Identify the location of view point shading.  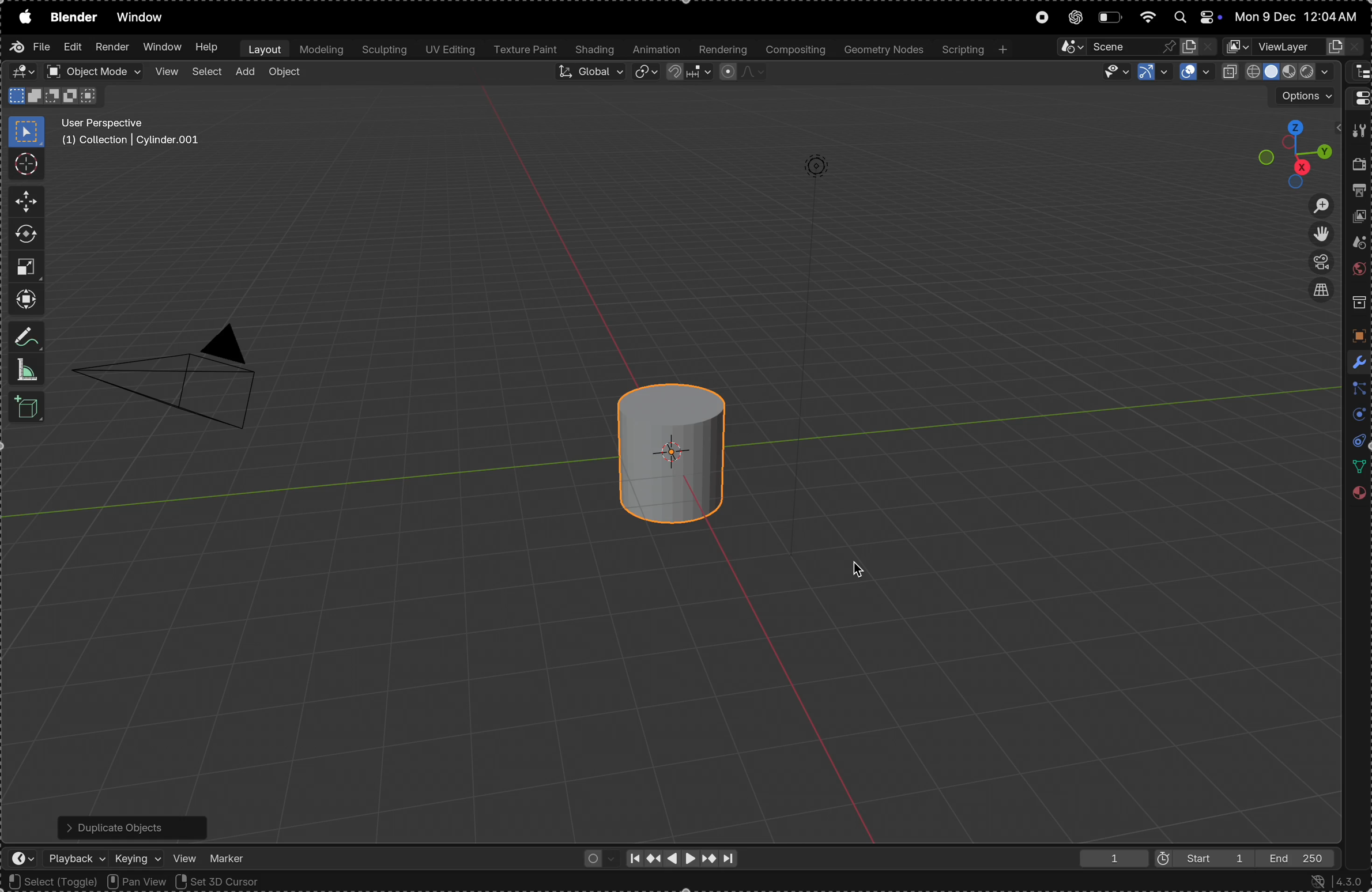
(1280, 72).